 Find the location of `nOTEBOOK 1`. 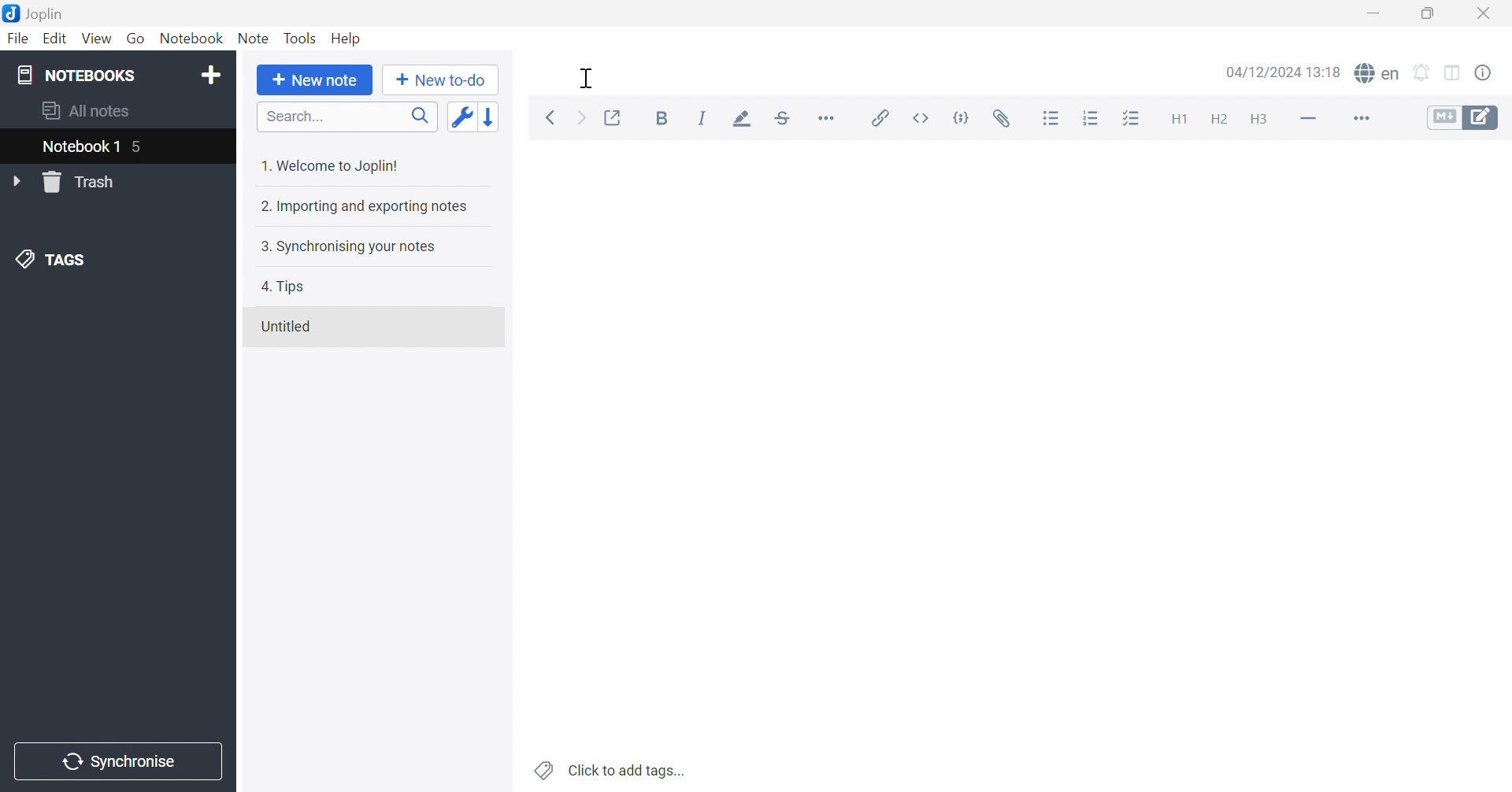

nOTEBOOK 1 is located at coordinates (83, 146).